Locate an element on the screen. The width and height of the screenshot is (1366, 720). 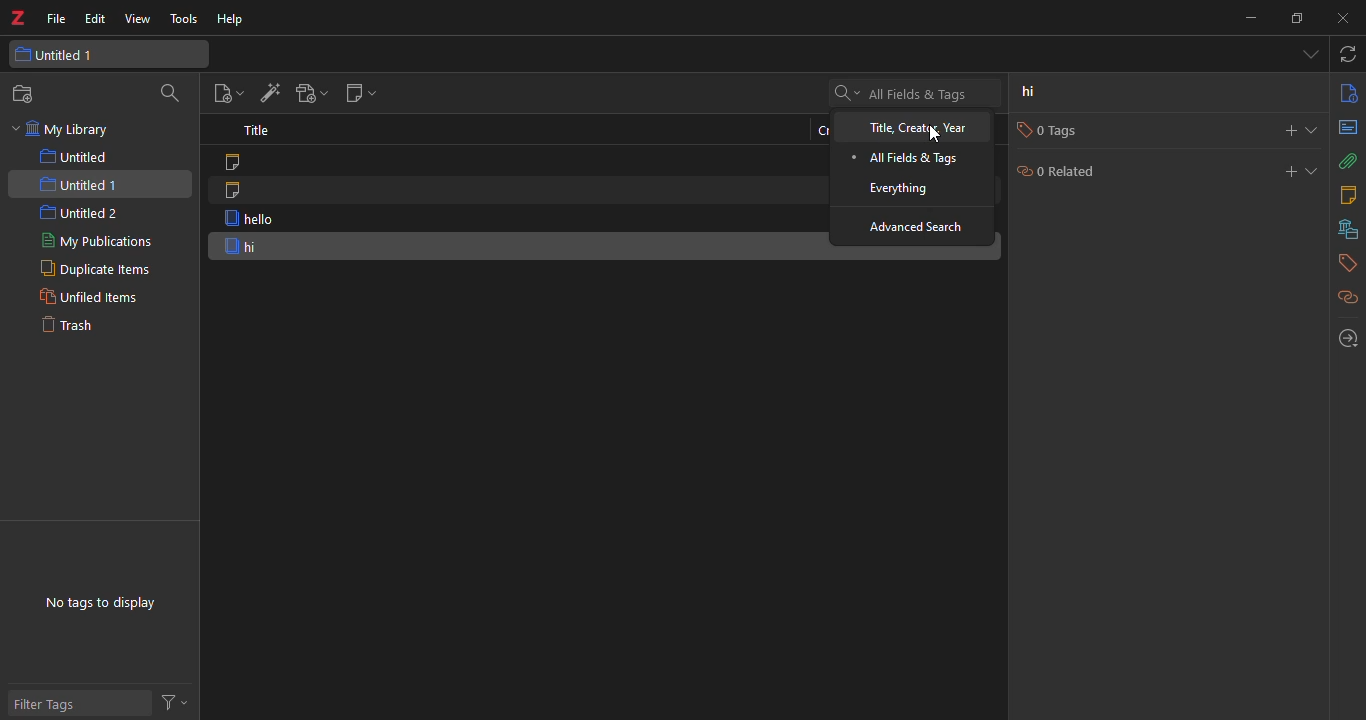
add attachment is located at coordinates (309, 93).